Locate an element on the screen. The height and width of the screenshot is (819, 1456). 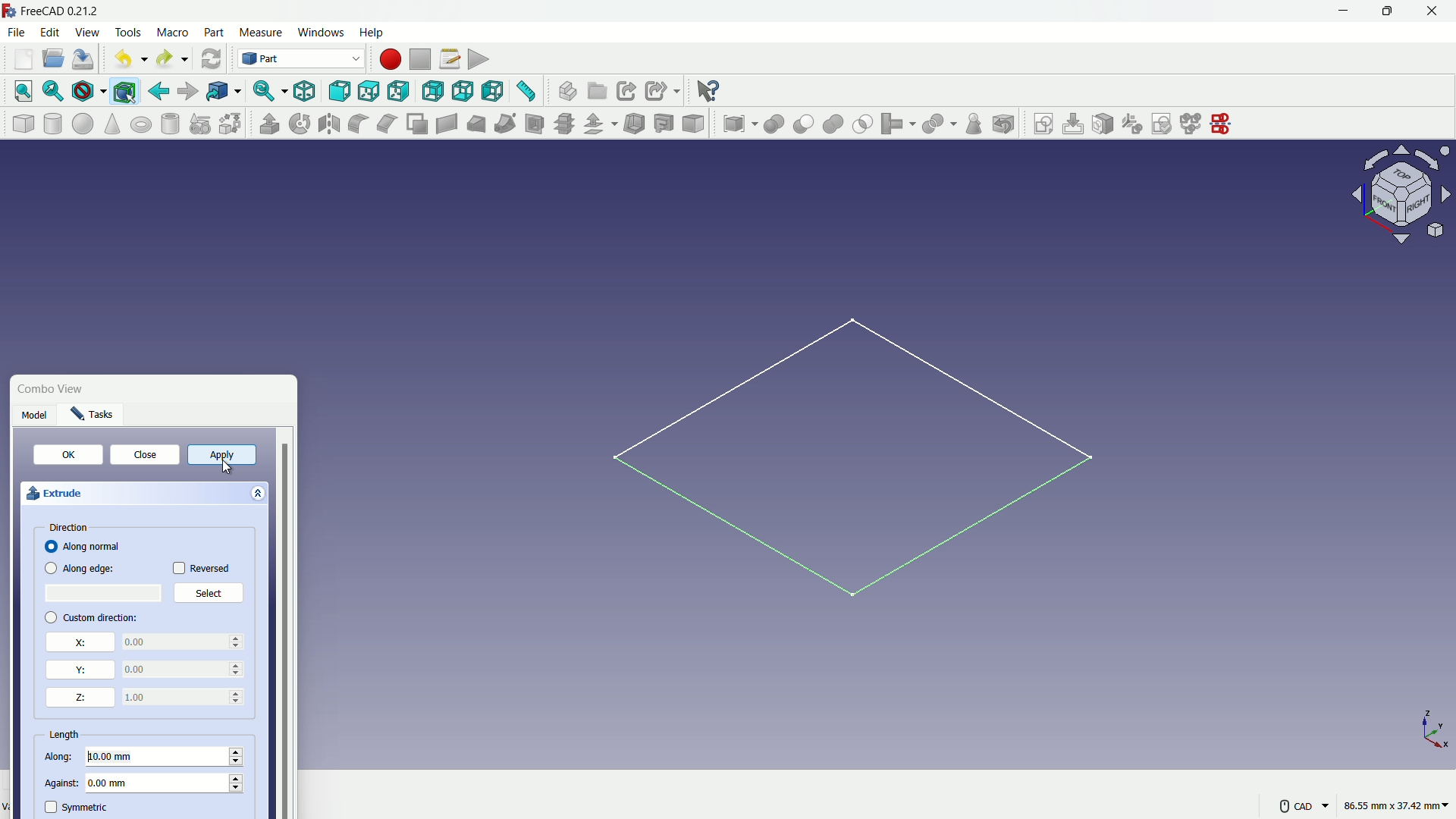
stop macros is located at coordinates (420, 60).